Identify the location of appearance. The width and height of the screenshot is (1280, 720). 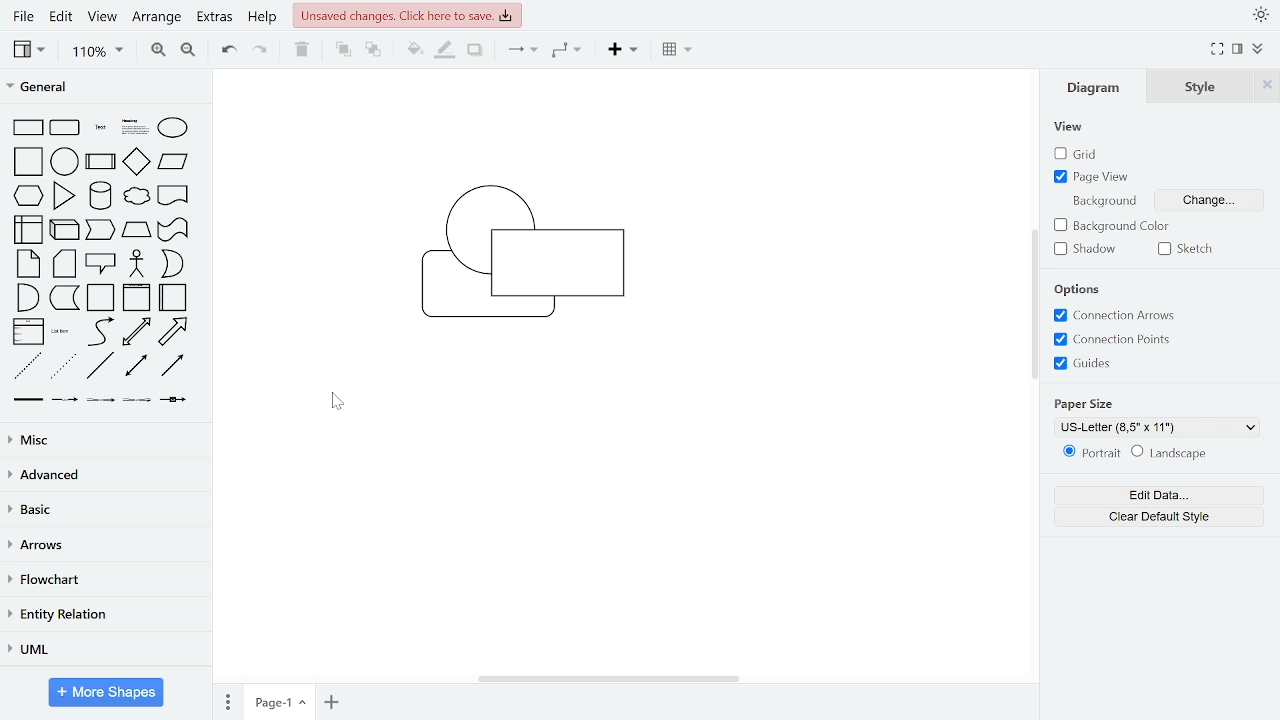
(1258, 16).